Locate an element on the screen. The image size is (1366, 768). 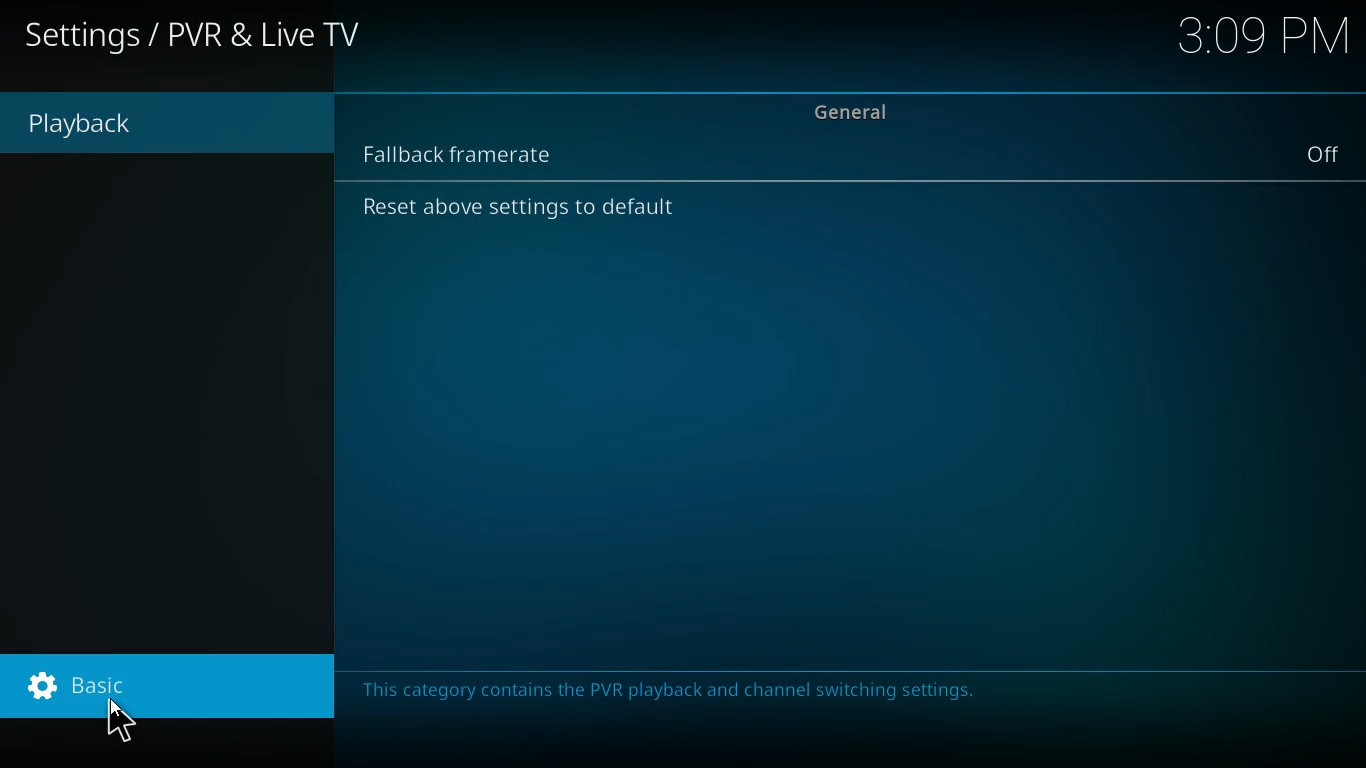
message is located at coordinates (675, 692).